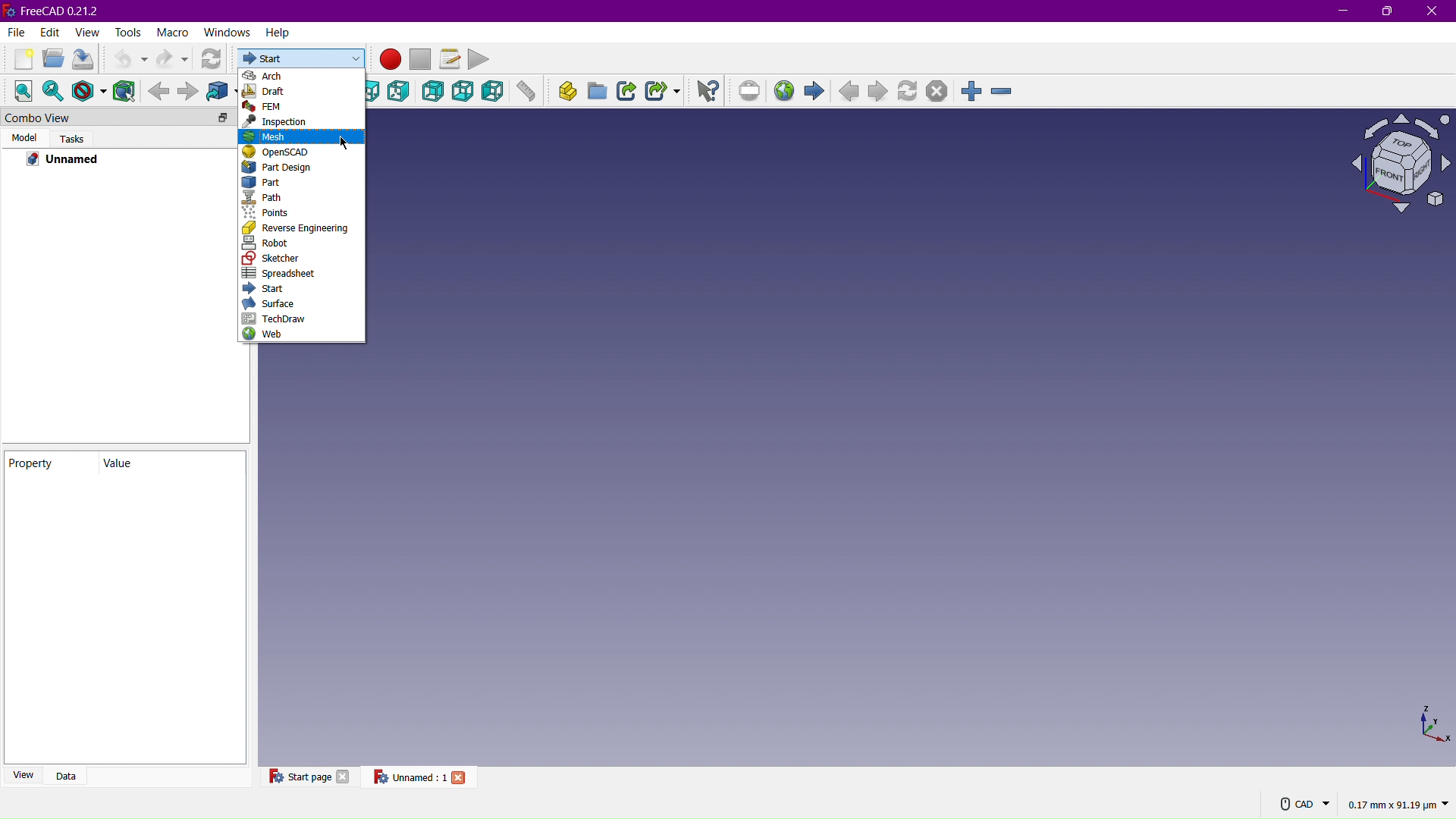 This screenshot has width=1456, height=819. I want to click on Open, so click(50, 61).